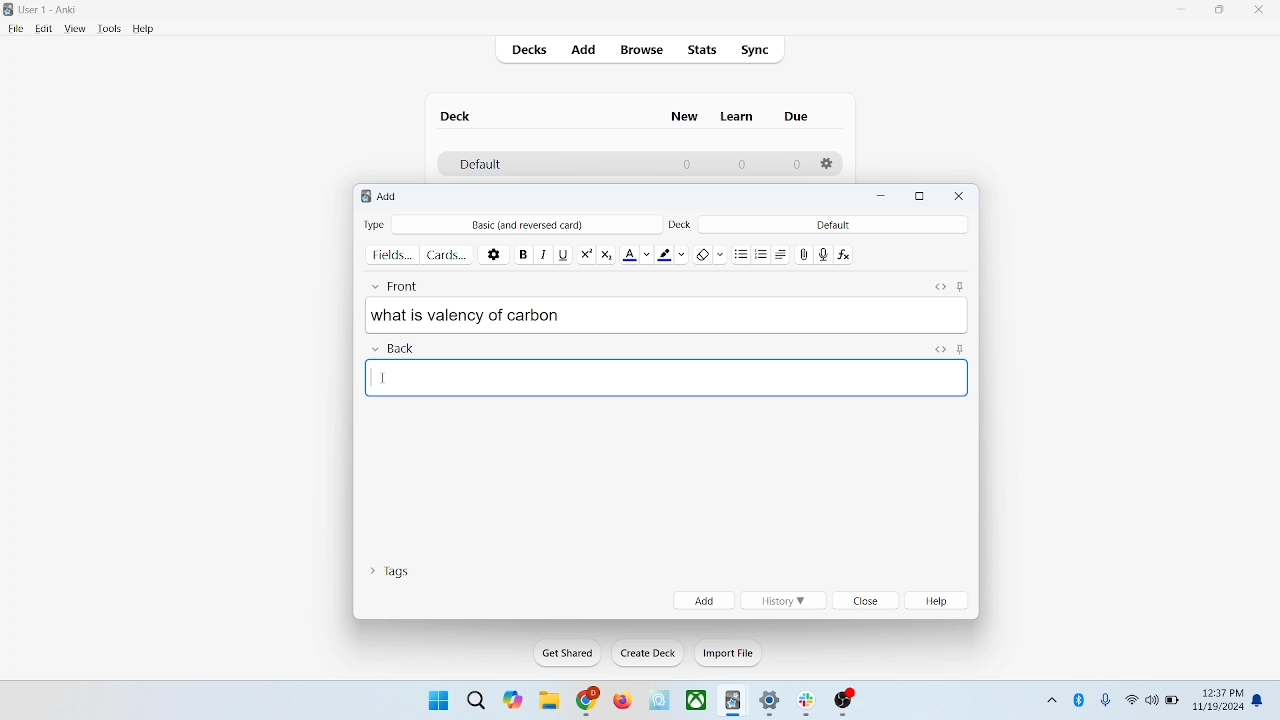 The height and width of the screenshot is (720, 1280). Describe the element at coordinates (734, 702) in the screenshot. I see `icon` at that location.